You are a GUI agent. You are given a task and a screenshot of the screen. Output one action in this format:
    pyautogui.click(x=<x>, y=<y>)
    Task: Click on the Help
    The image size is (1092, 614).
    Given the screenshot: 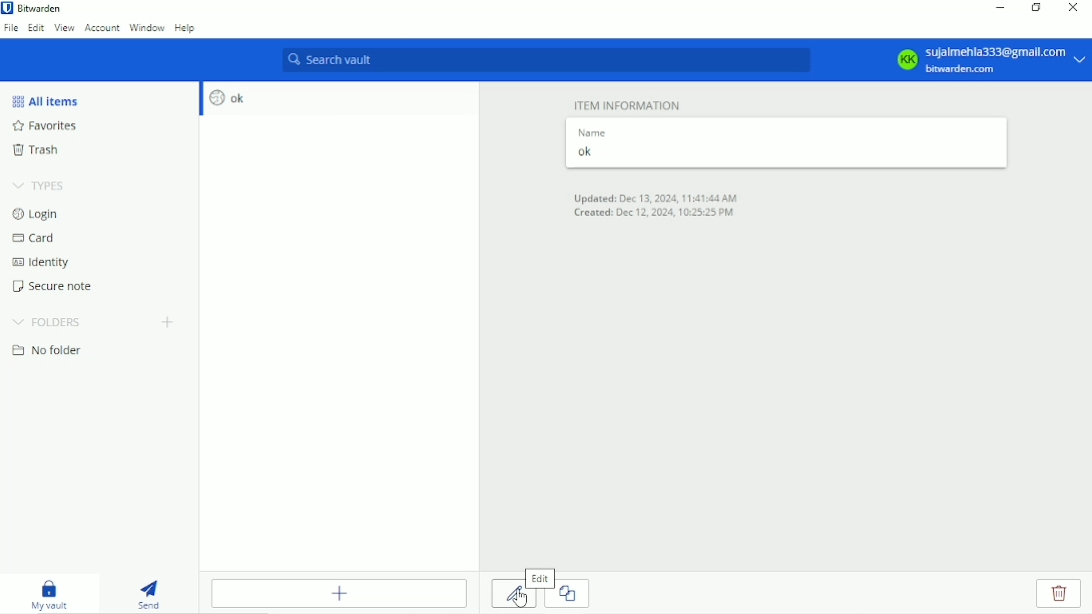 What is the action you would take?
    pyautogui.click(x=189, y=29)
    